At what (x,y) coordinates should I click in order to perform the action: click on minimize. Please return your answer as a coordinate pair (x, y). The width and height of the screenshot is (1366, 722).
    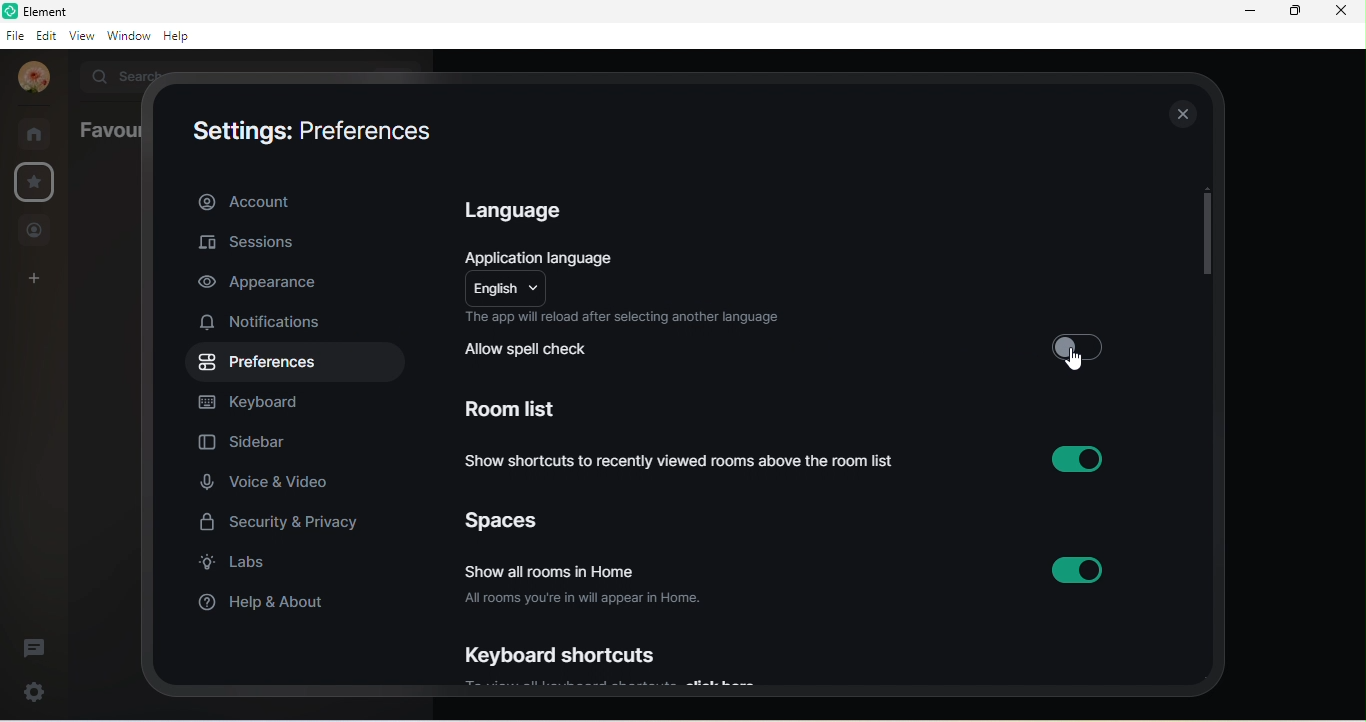
    Looking at the image, I should click on (1255, 12).